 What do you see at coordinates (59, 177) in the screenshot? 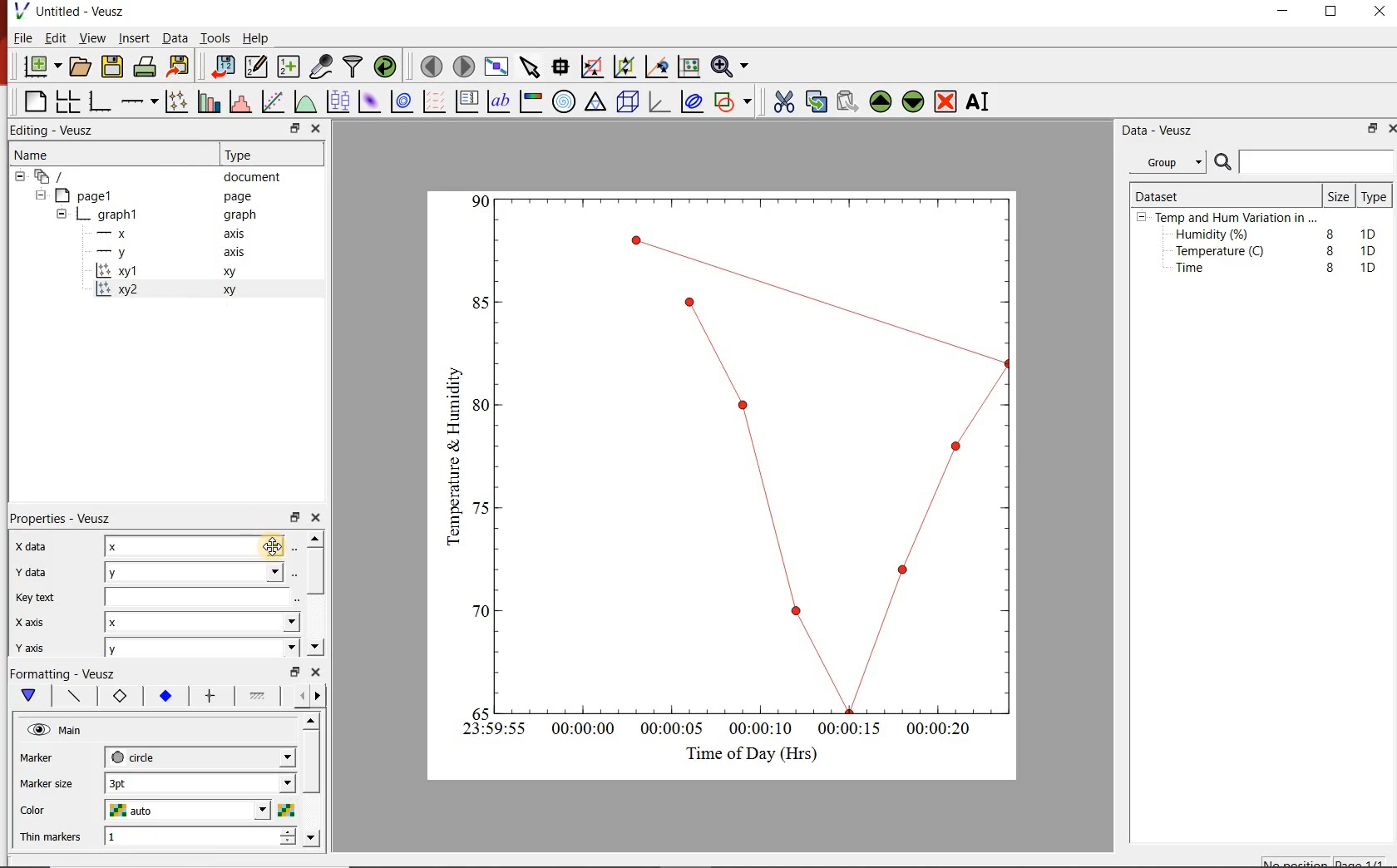
I see `document widget` at bounding box center [59, 177].